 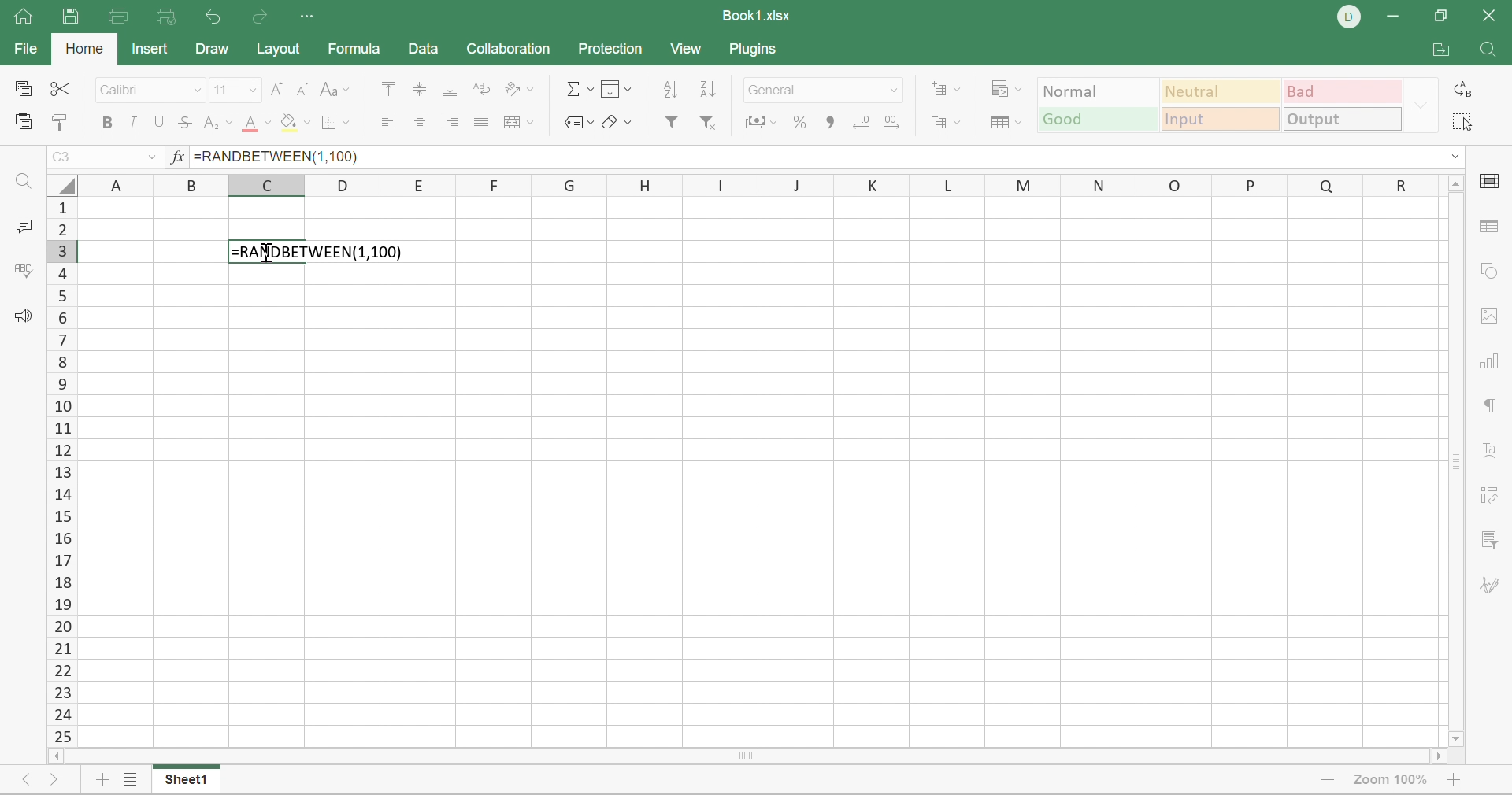 I want to click on signature settings, so click(x=1492, y=584).